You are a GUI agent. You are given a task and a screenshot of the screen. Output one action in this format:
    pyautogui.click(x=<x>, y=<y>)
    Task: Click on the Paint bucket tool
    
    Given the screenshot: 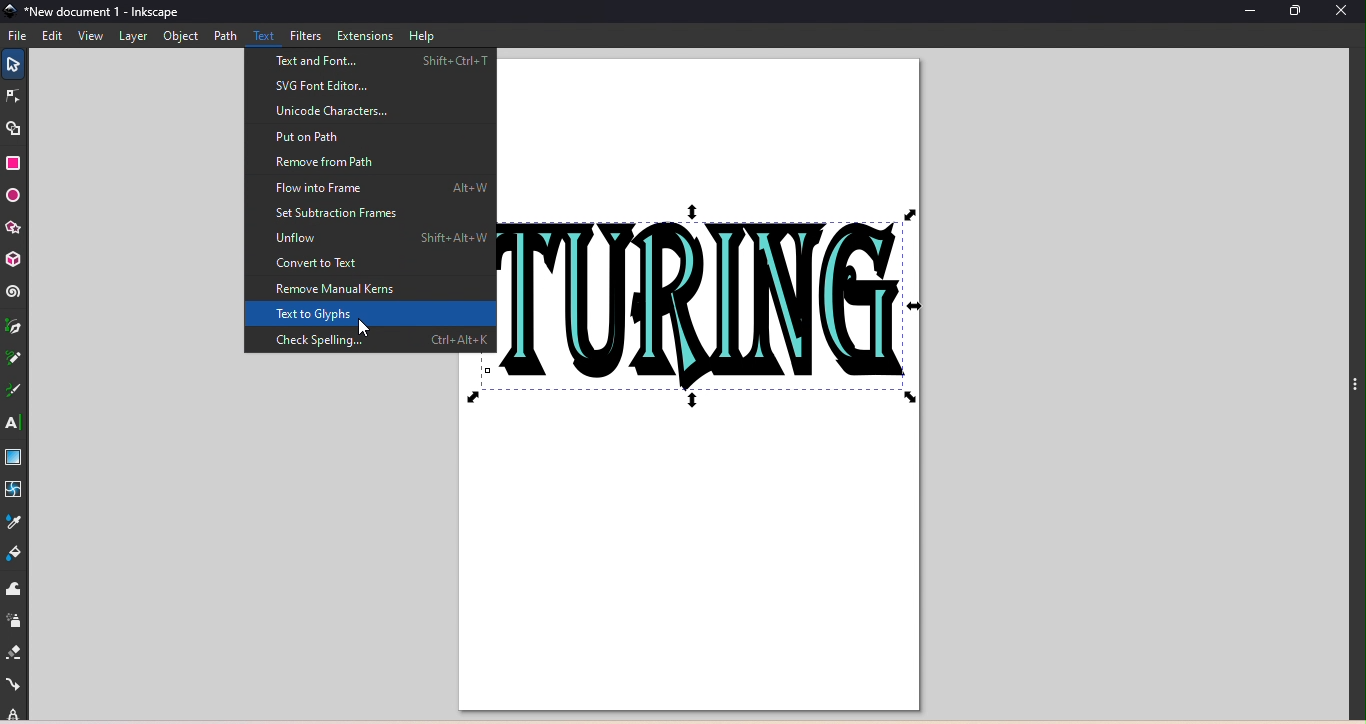 What is the action you would take?
    pyautogui.click(x=19, y=553)
    